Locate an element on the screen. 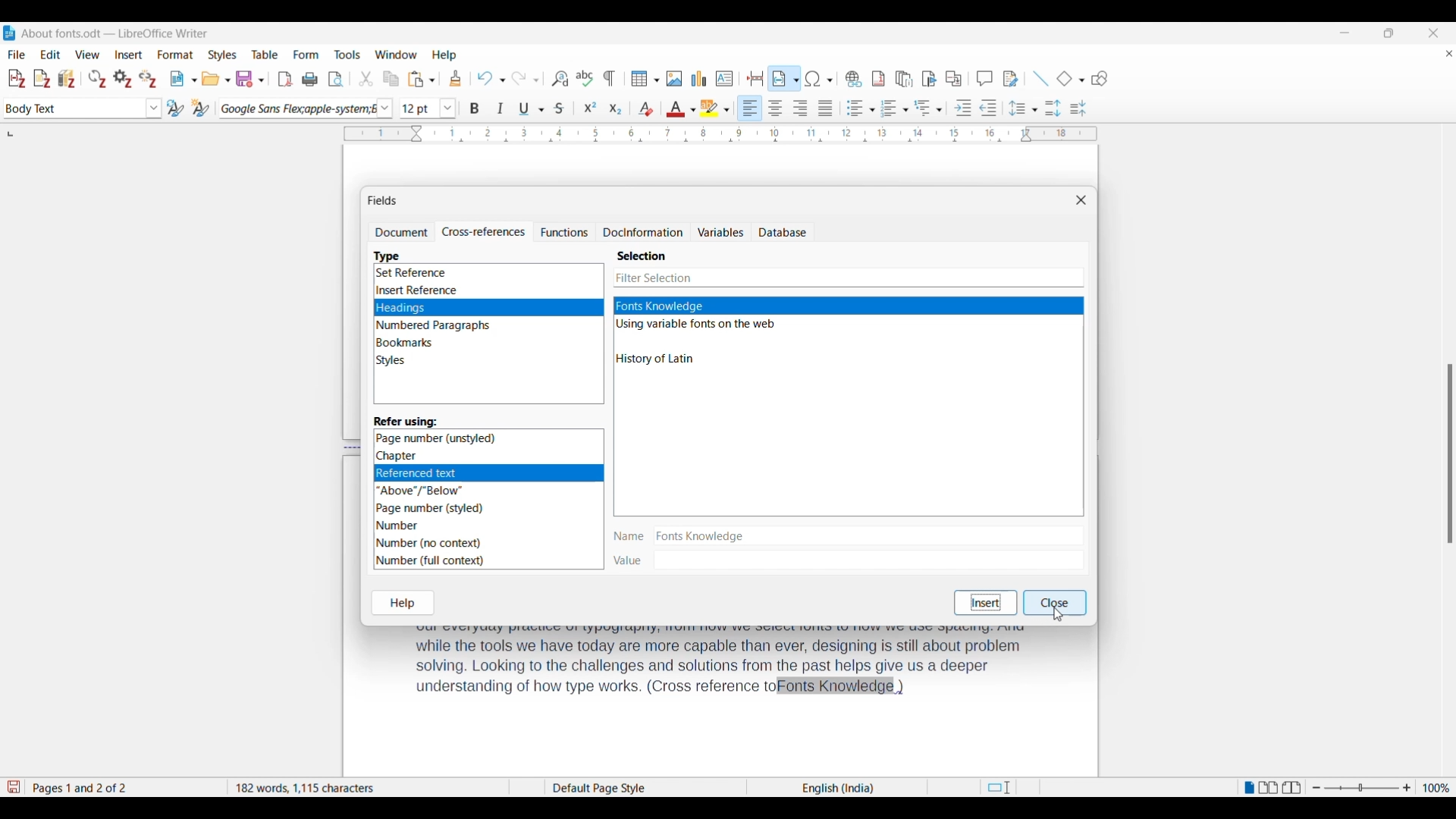  Section title is located at coordinates (388, 256).